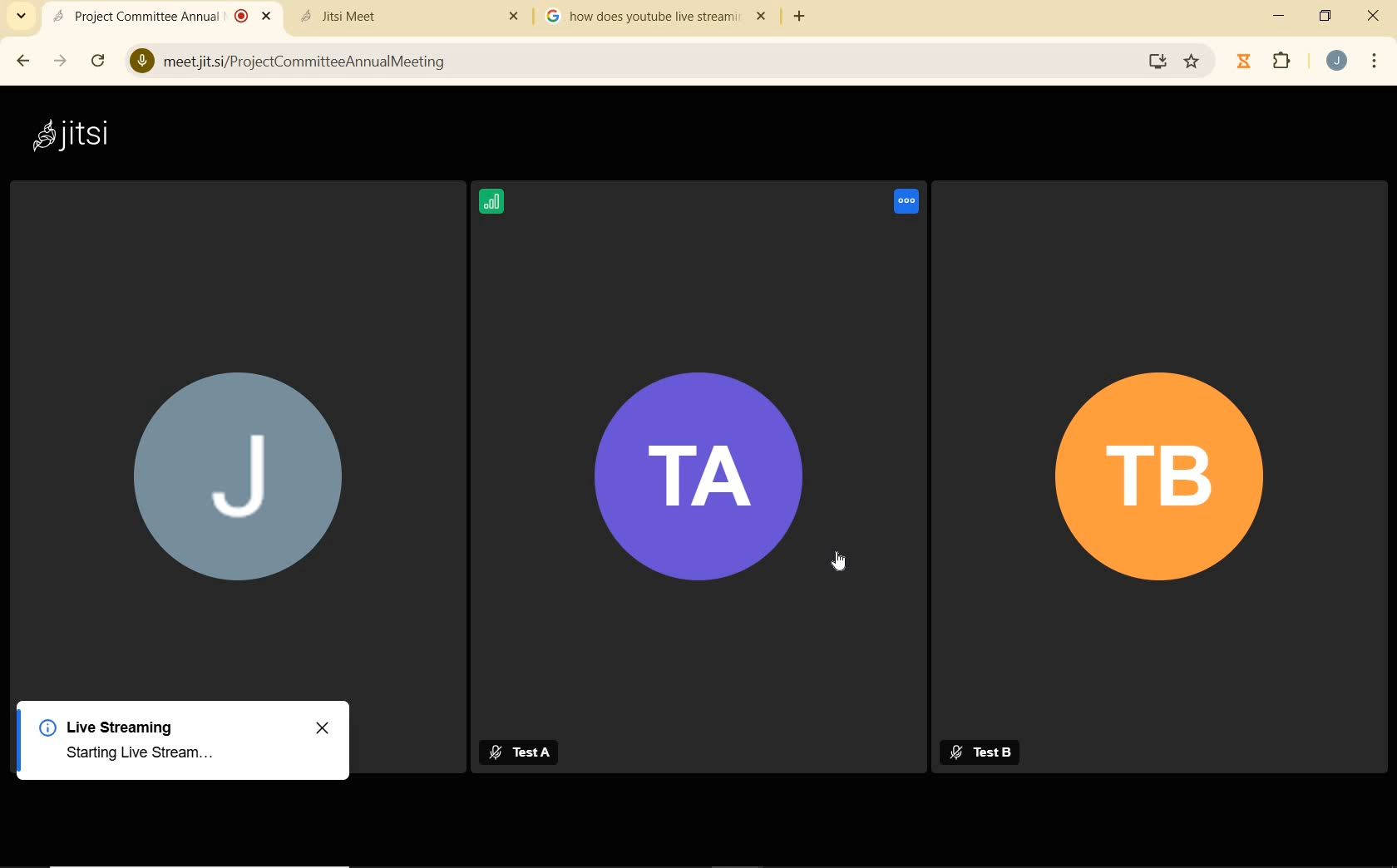  I want to click on TA, so click(689, 478).